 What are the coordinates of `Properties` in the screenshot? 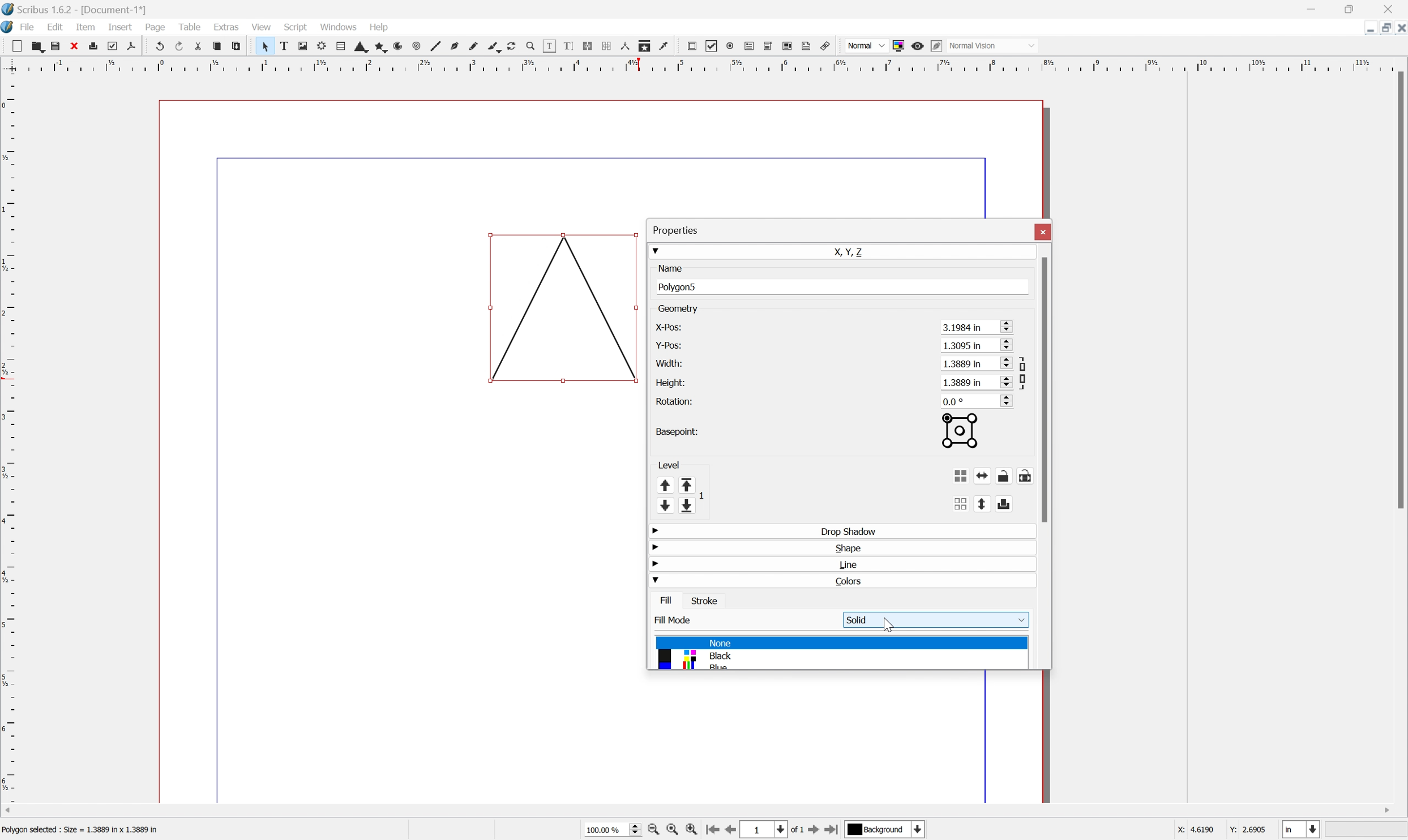 It's located at (676, 230).